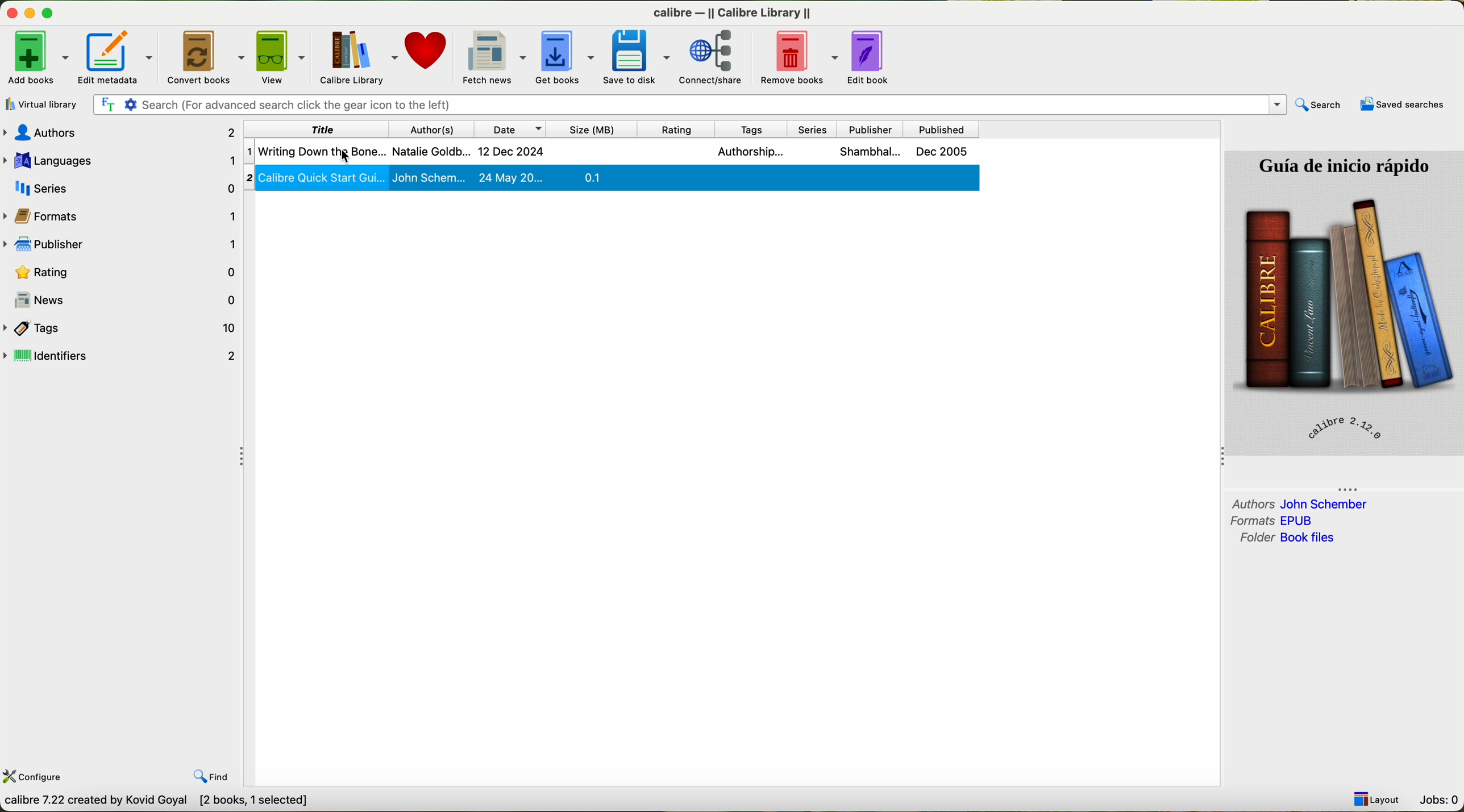  What do you see at coordinates (1299, 503) in the screenshot?
I see `authors` at bounding box center [1299, 503].